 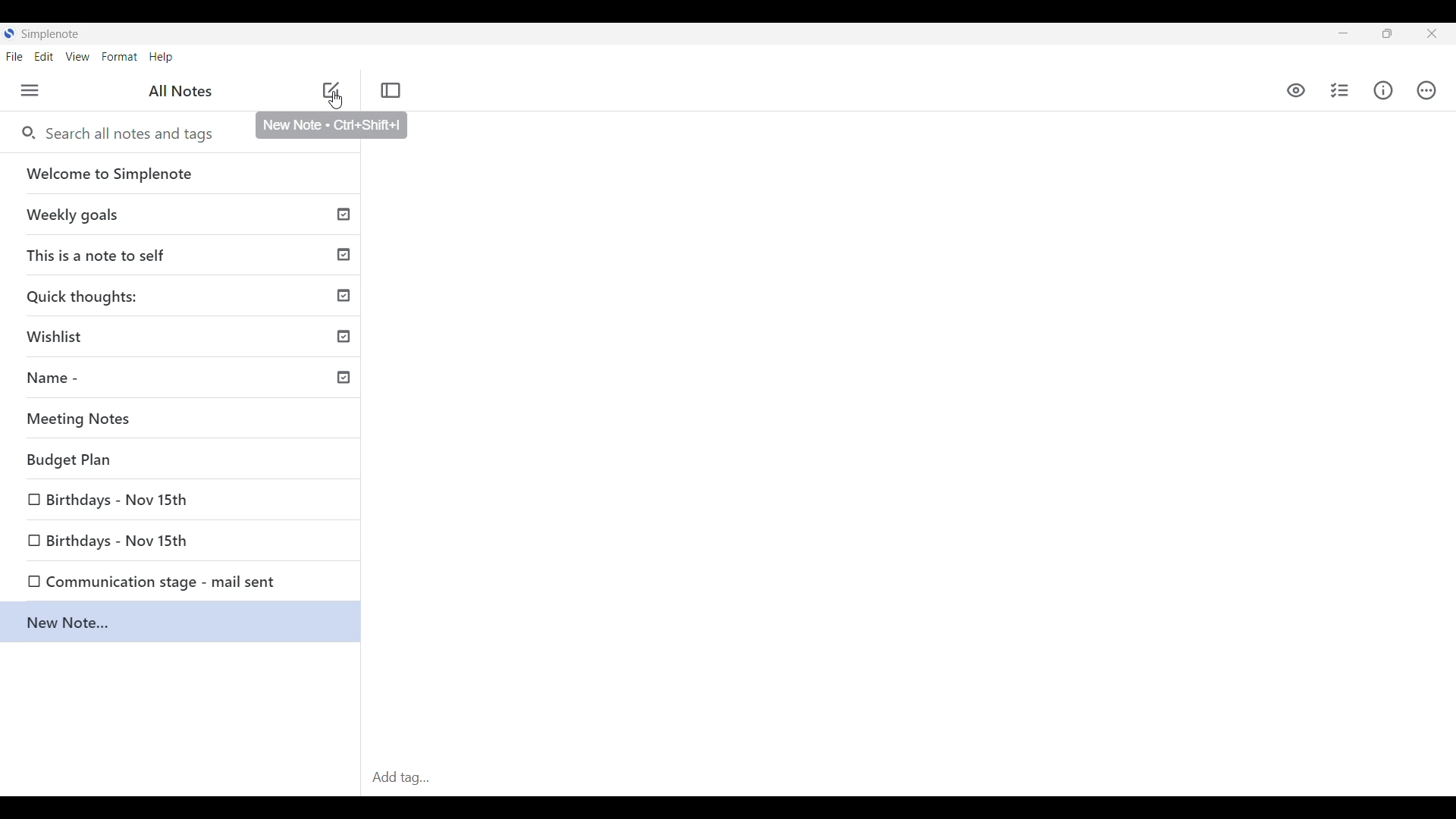 What do you see at coordinates (14, 56) in the screenshot?
I see `File ` at bounding box center [14, 56].